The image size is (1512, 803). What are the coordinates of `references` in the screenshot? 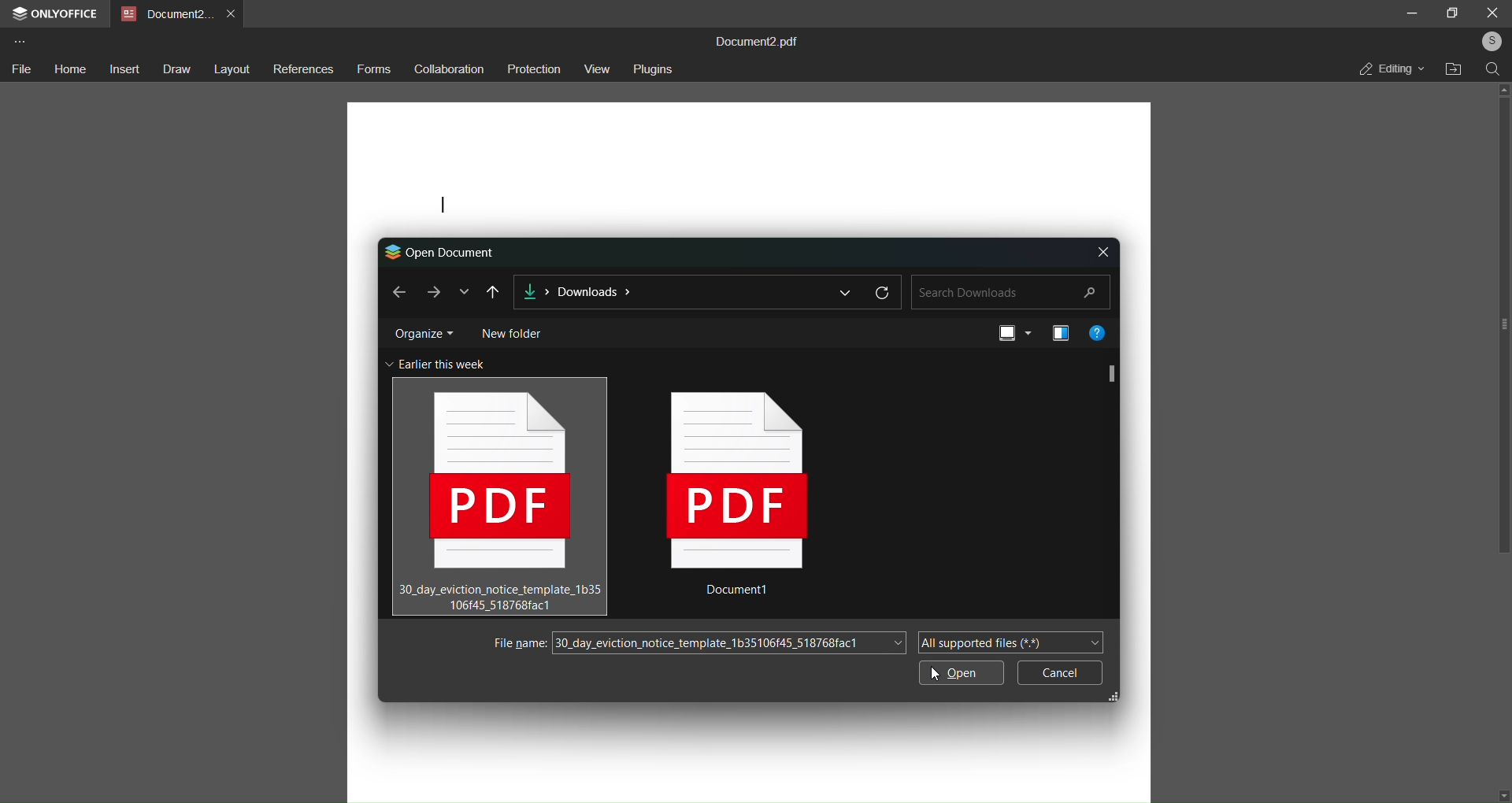 It's located at (303, 71).